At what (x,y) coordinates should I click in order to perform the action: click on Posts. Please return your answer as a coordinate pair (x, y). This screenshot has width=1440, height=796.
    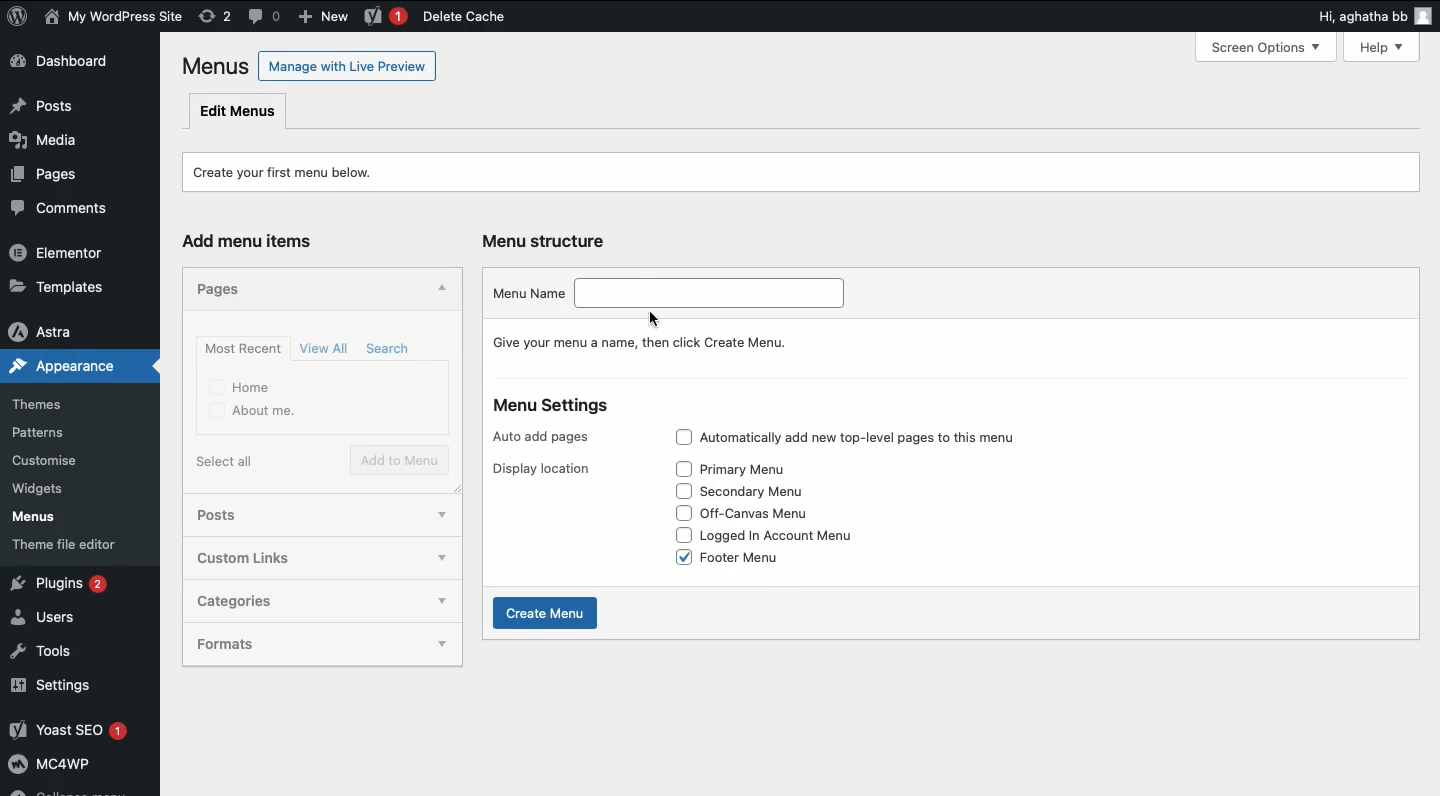
    Looking at the image, I should click on (268, 513).